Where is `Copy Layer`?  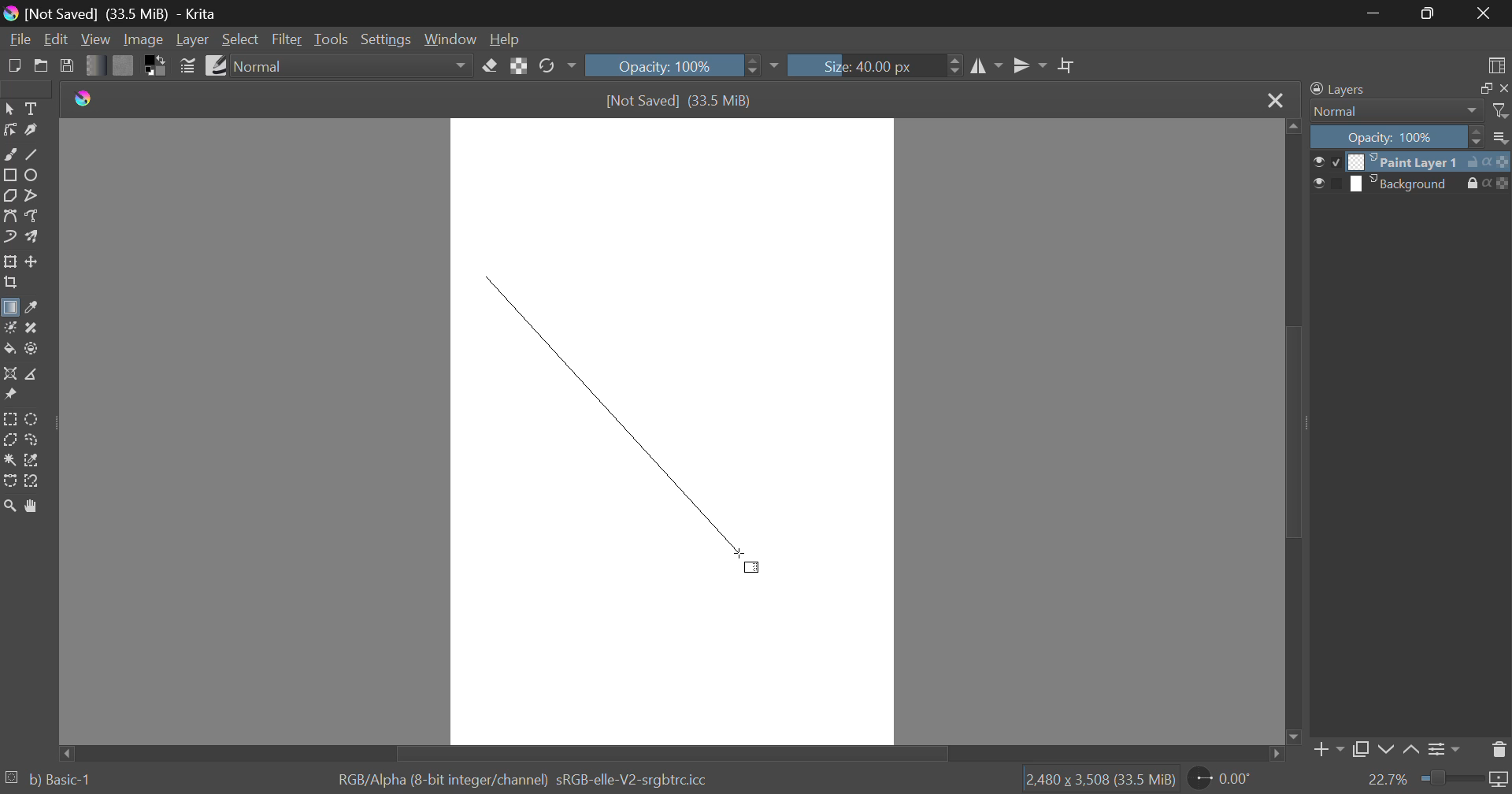
Copy Layer is located at coordinates (1361, 752).